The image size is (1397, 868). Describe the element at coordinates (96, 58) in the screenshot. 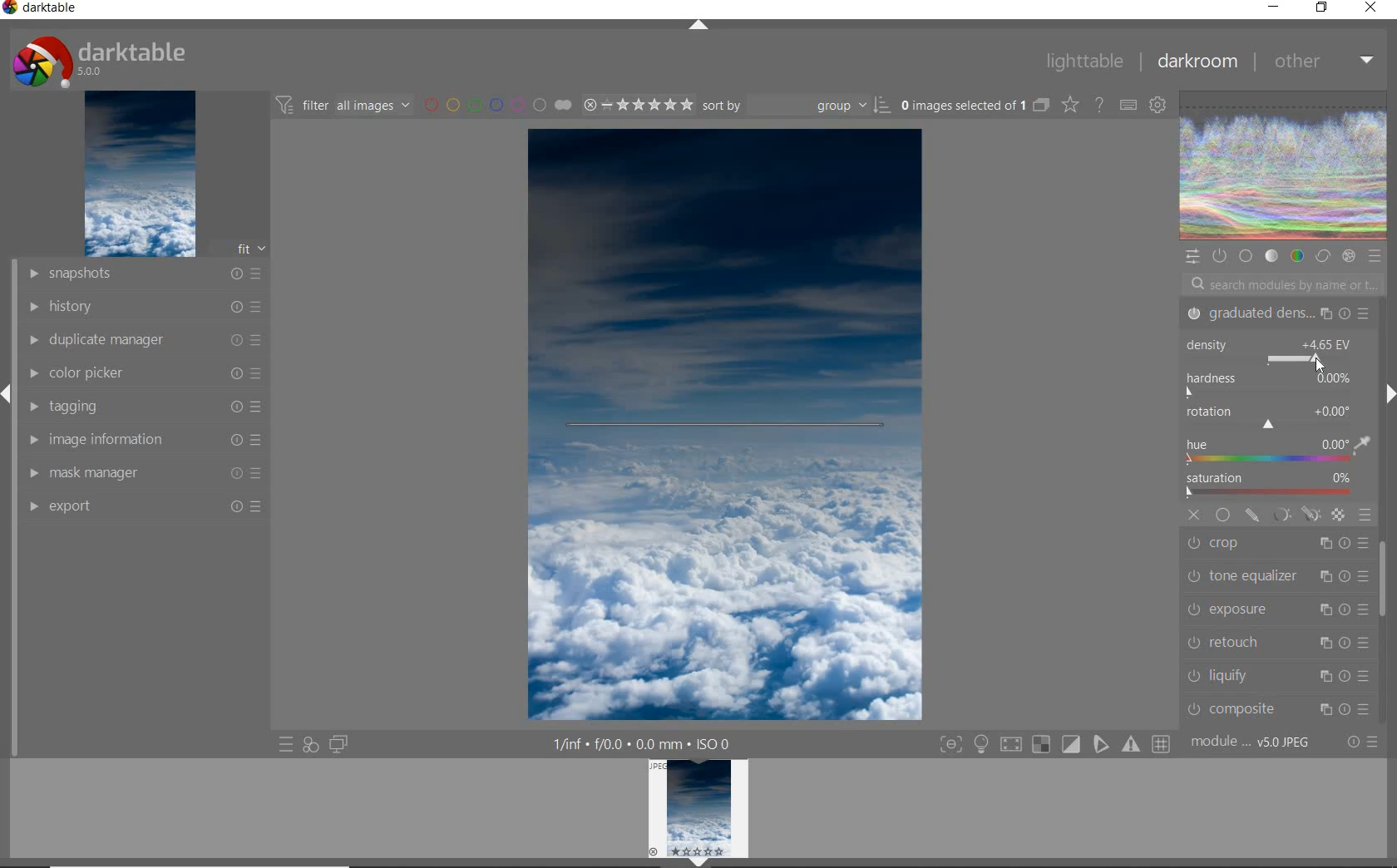

I see `darktable 5.0.0` at that location.